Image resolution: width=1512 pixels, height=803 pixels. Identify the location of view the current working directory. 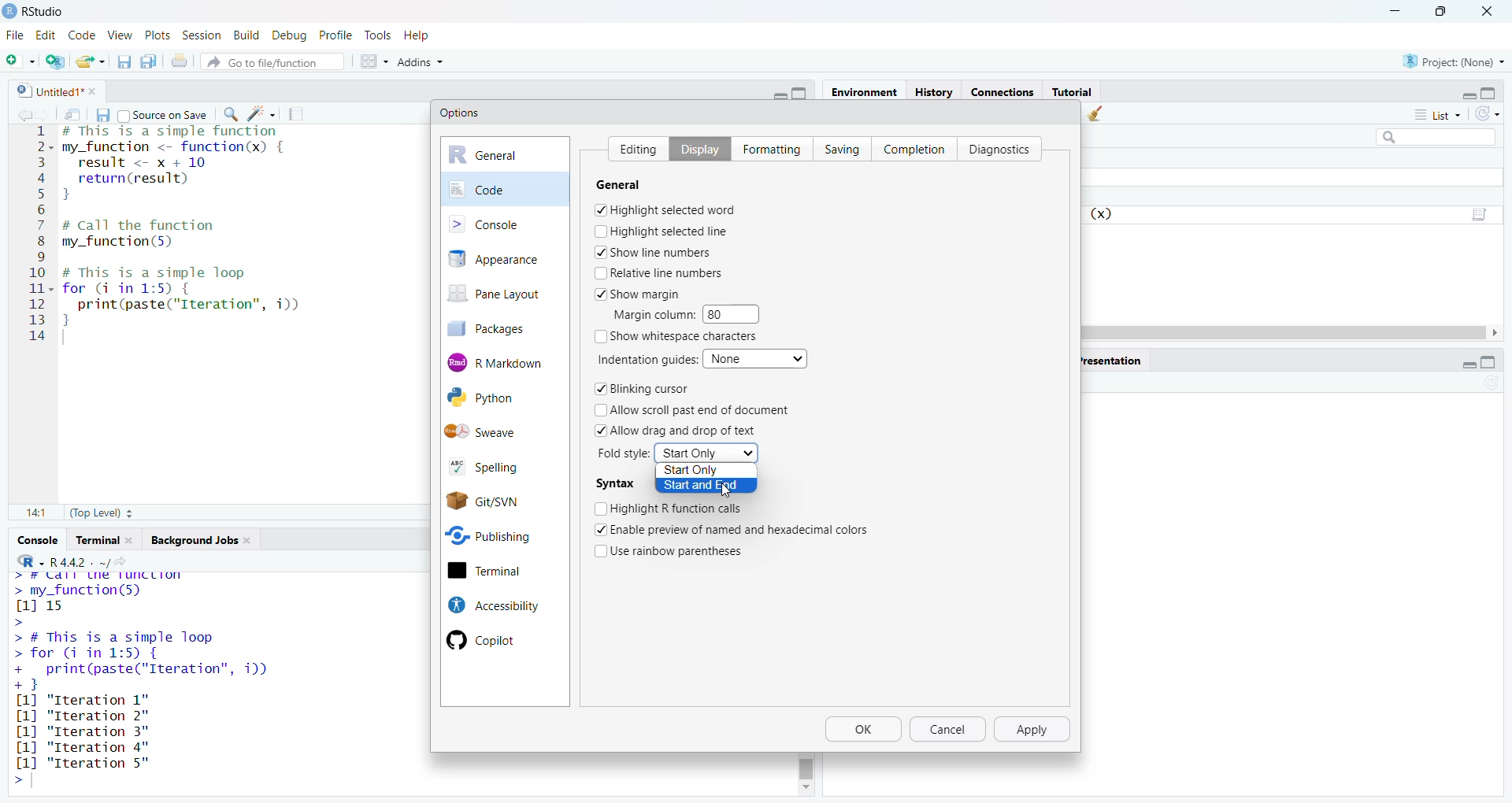
(128, 561).